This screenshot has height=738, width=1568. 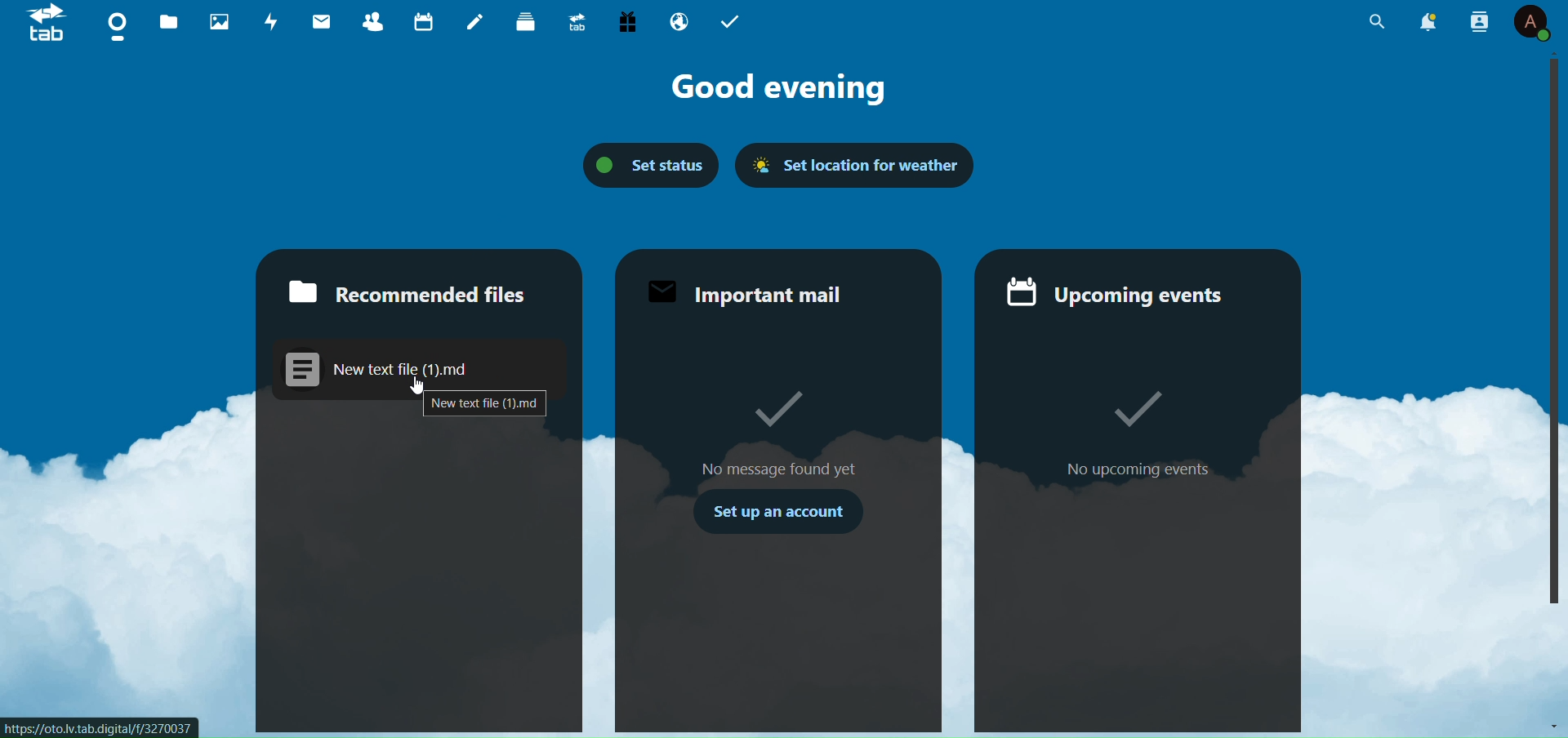 What do you see at coordinates (1121, 402) in the screenshot?
I see `no upcoming events` at bounding box center [1121, 402].